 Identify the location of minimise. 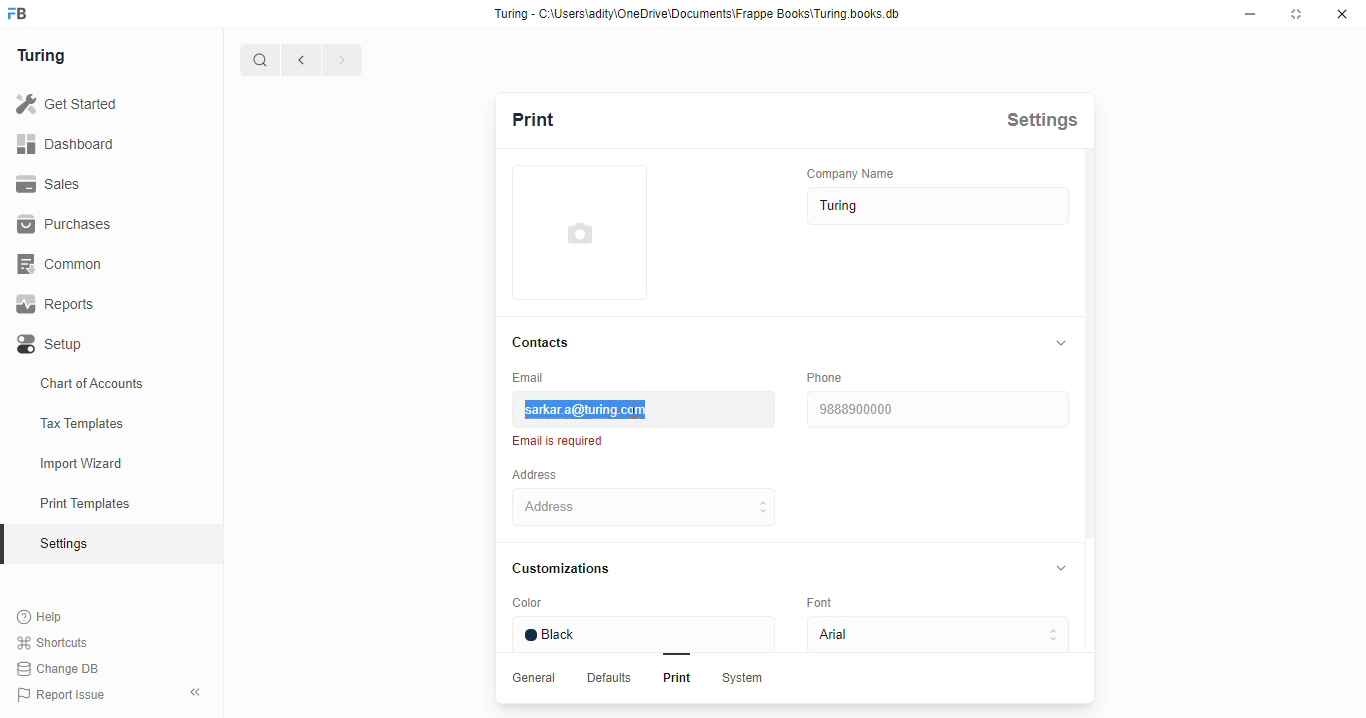
(1253, 14).